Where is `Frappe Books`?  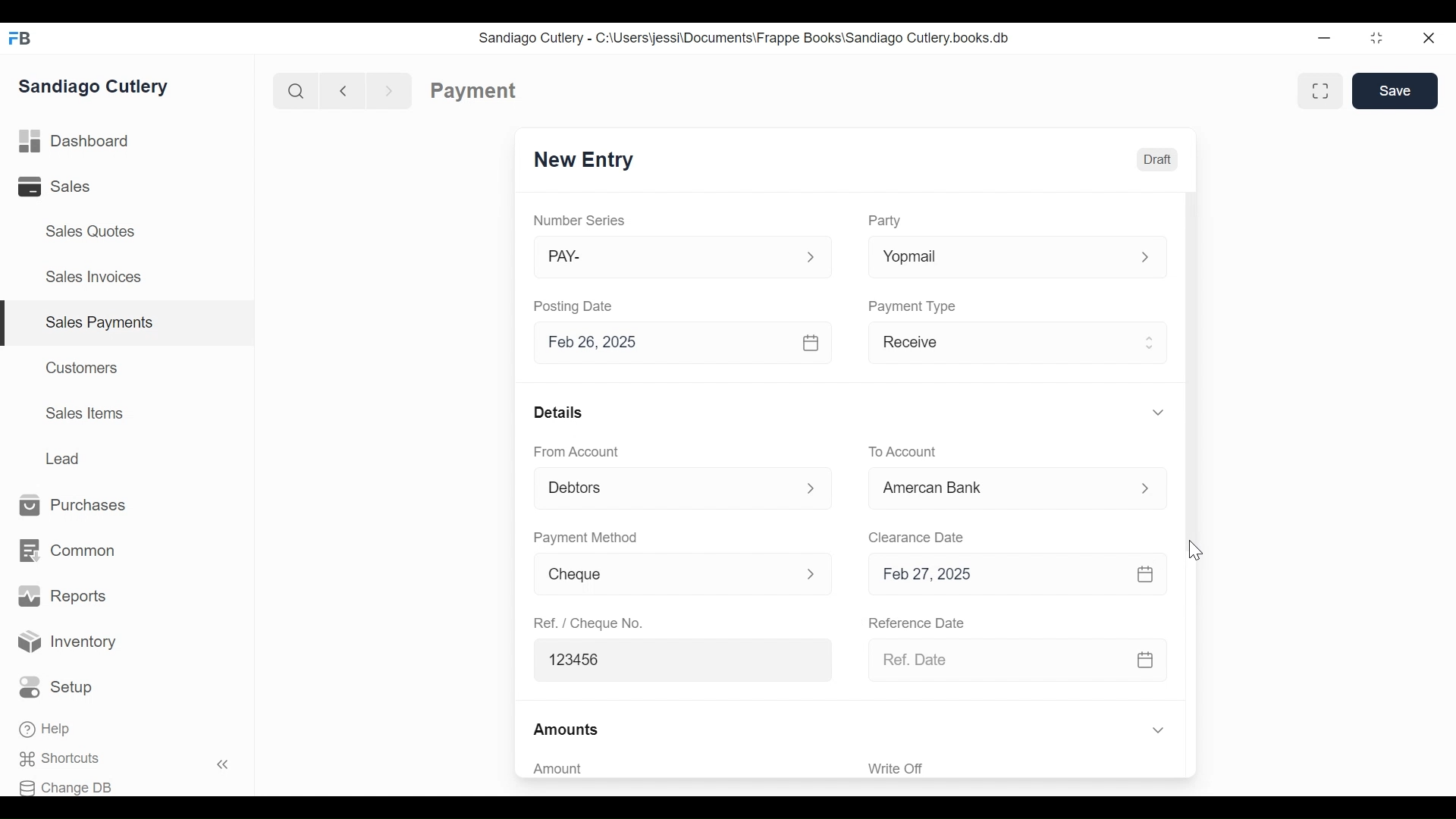 Frappe Books is located at coordinates (21, 38).